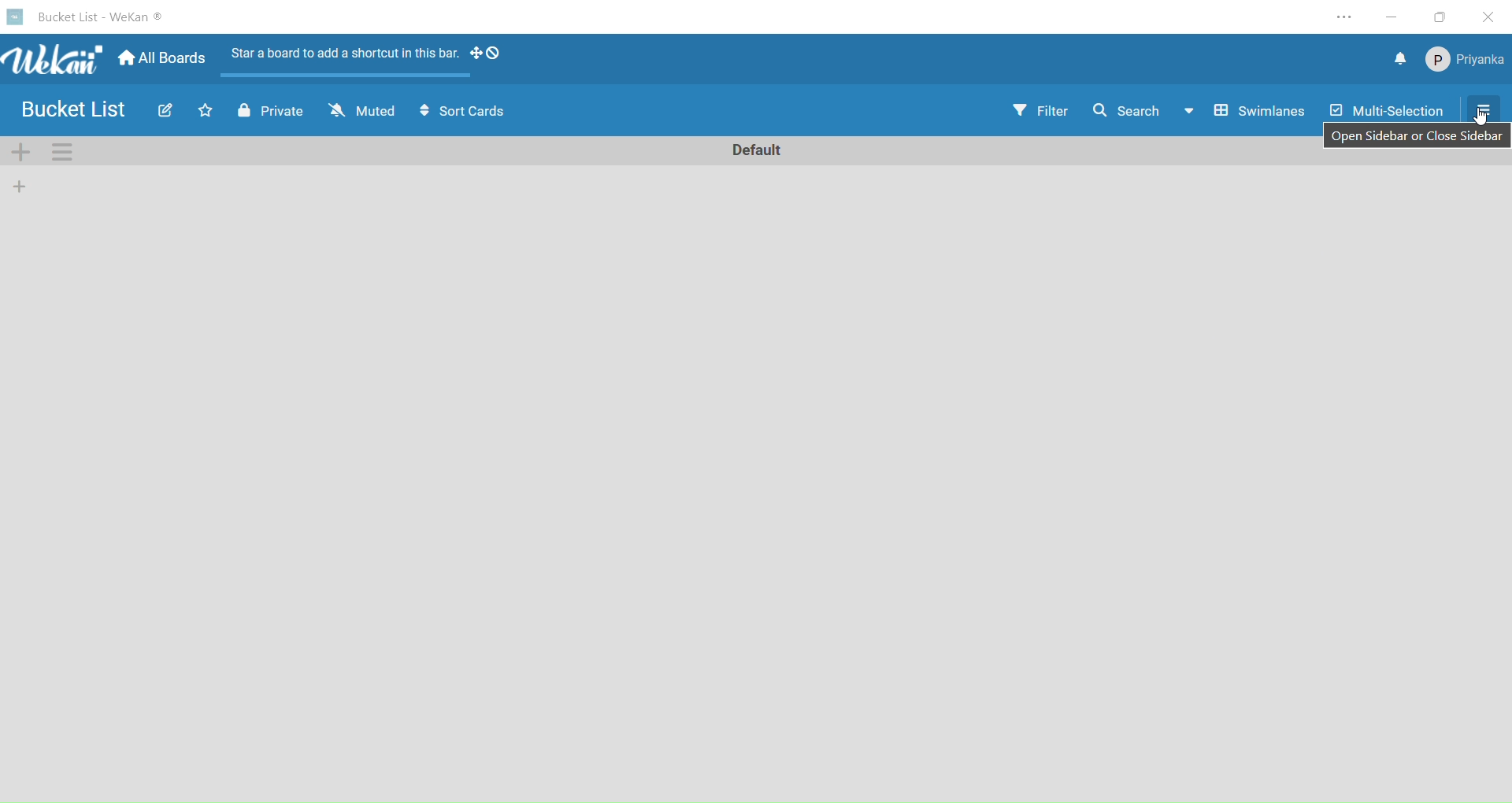  Describe the element at coordinates (273, 111) in the screenshot. I see `private` at that location.